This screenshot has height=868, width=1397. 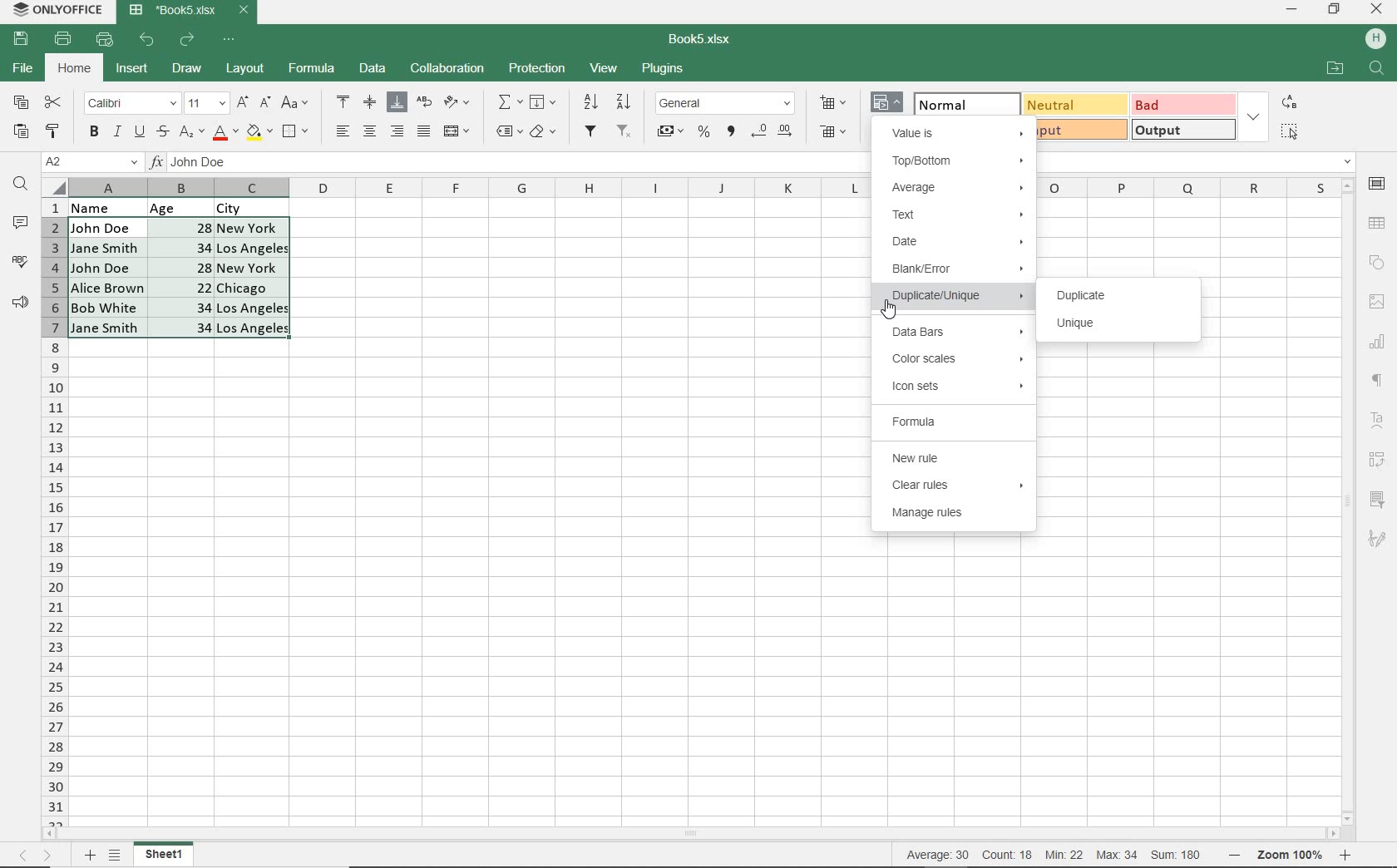 I want to click on LIST SHEETS, so click(x=118, y=856).